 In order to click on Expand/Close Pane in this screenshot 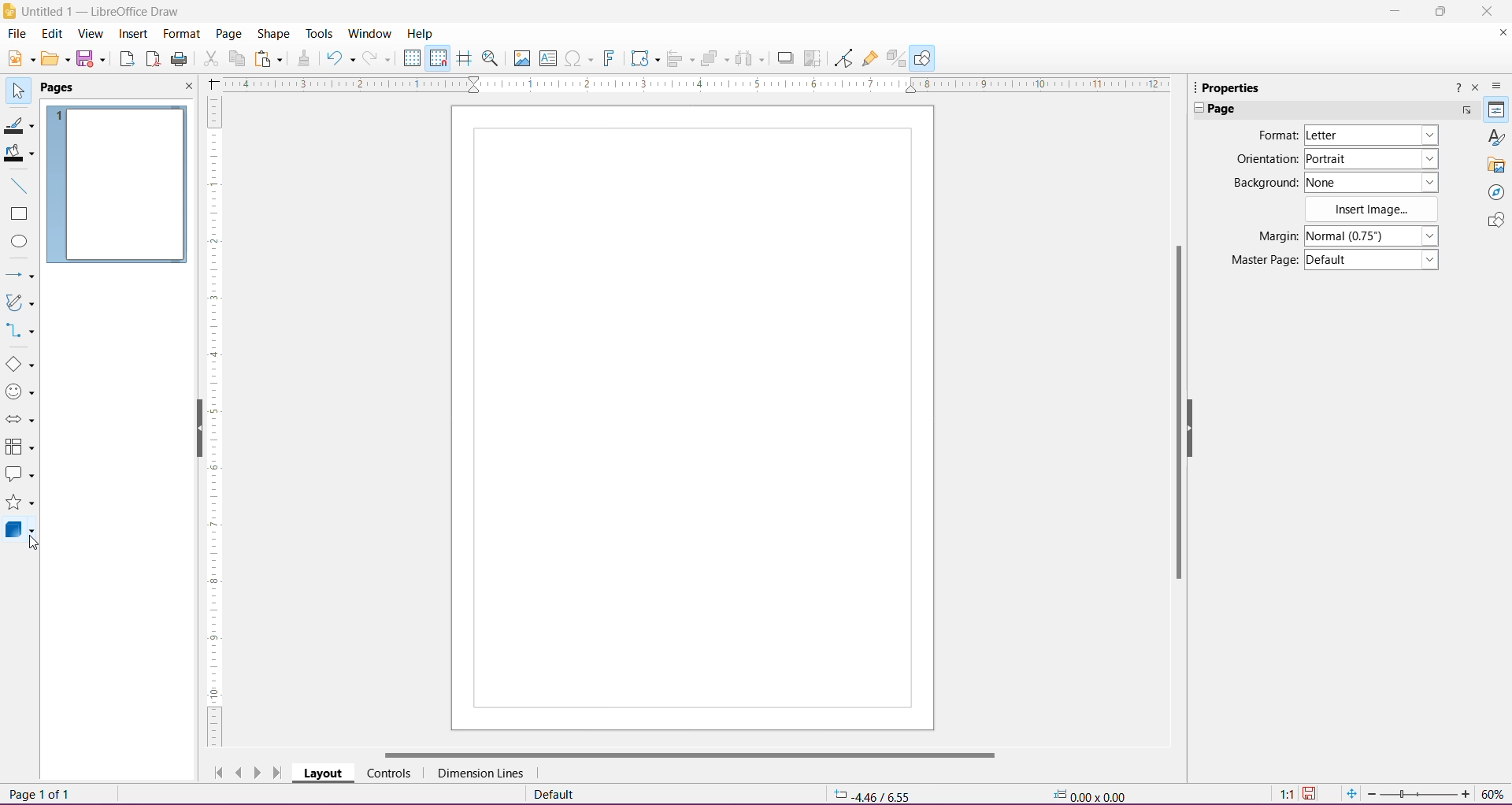, I will do `click(1193, 109)`.